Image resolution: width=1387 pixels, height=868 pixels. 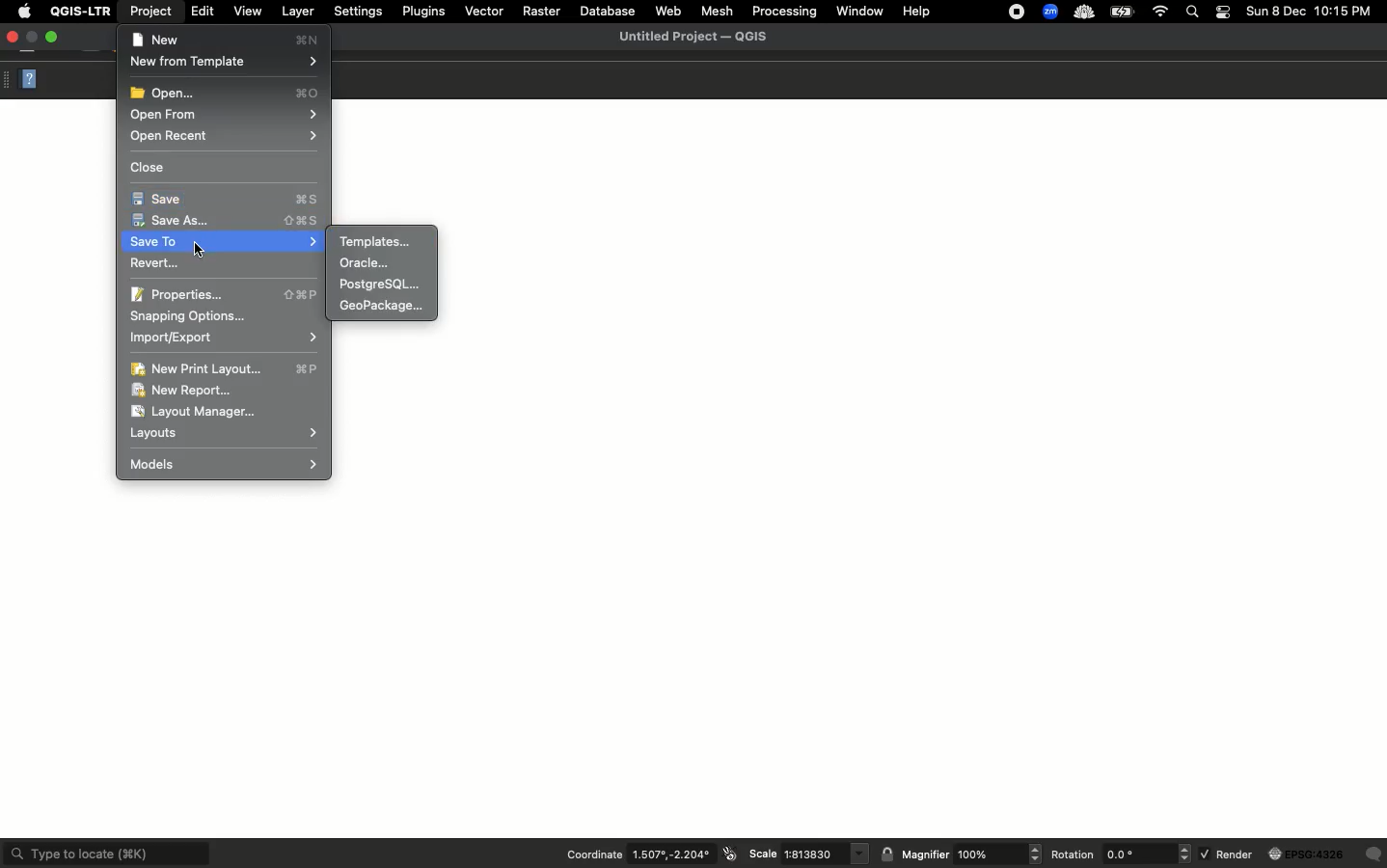 I want to click on New print layout, so click(x=226, y=368).